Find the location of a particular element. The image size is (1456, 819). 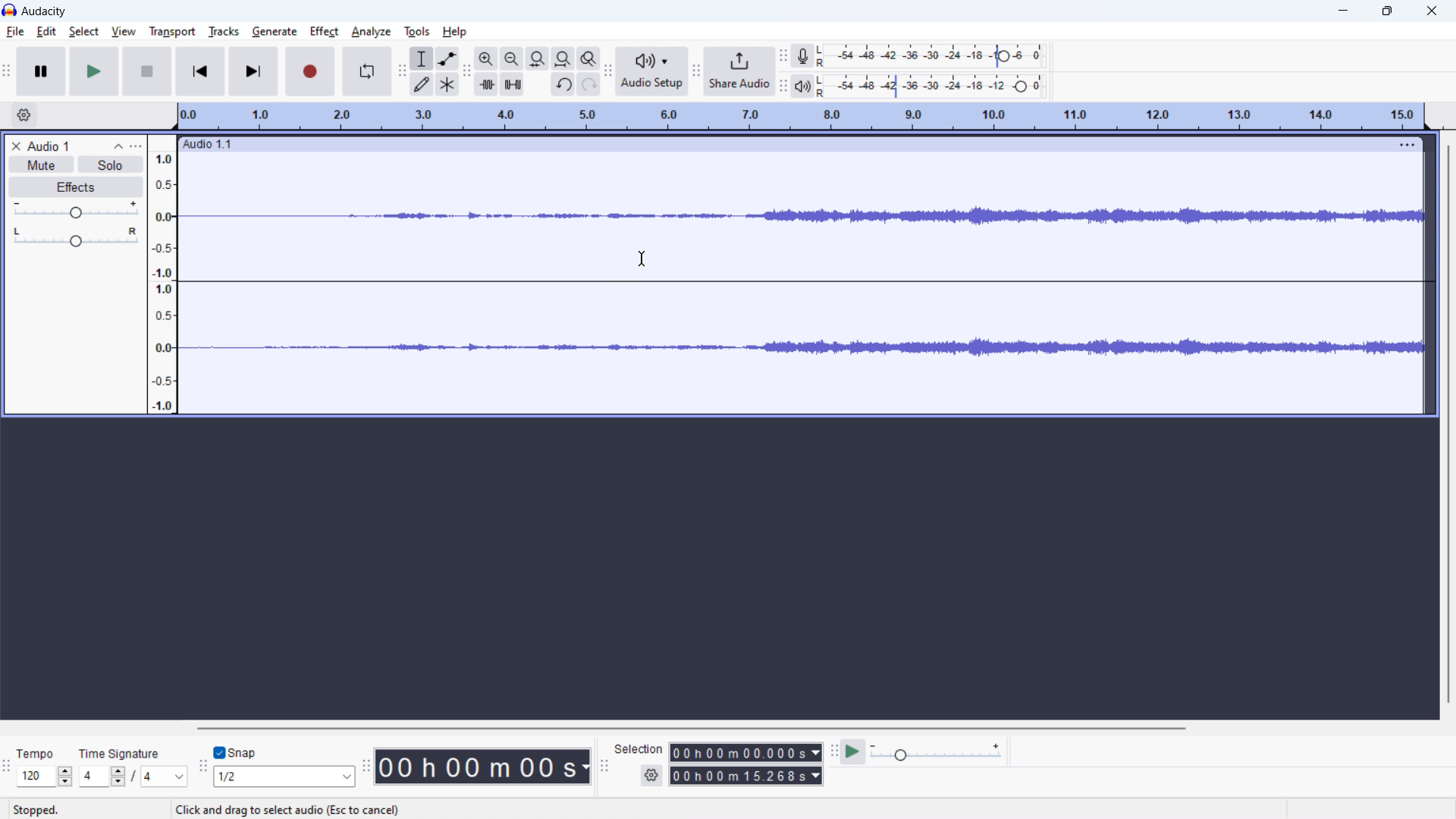

title is located at coordinates (45, 11).